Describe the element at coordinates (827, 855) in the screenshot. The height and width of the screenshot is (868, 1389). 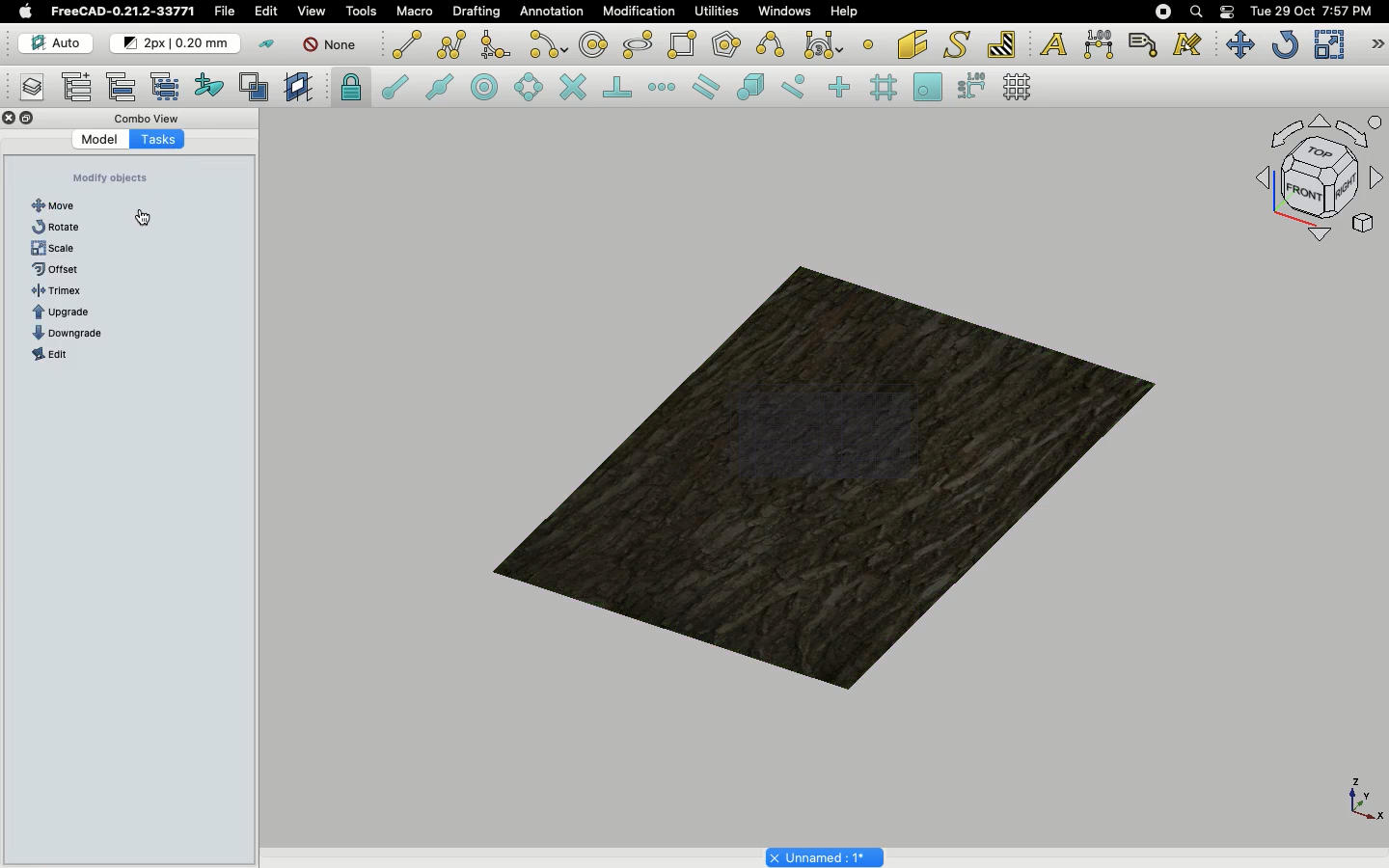
I see `Project name` at that location.